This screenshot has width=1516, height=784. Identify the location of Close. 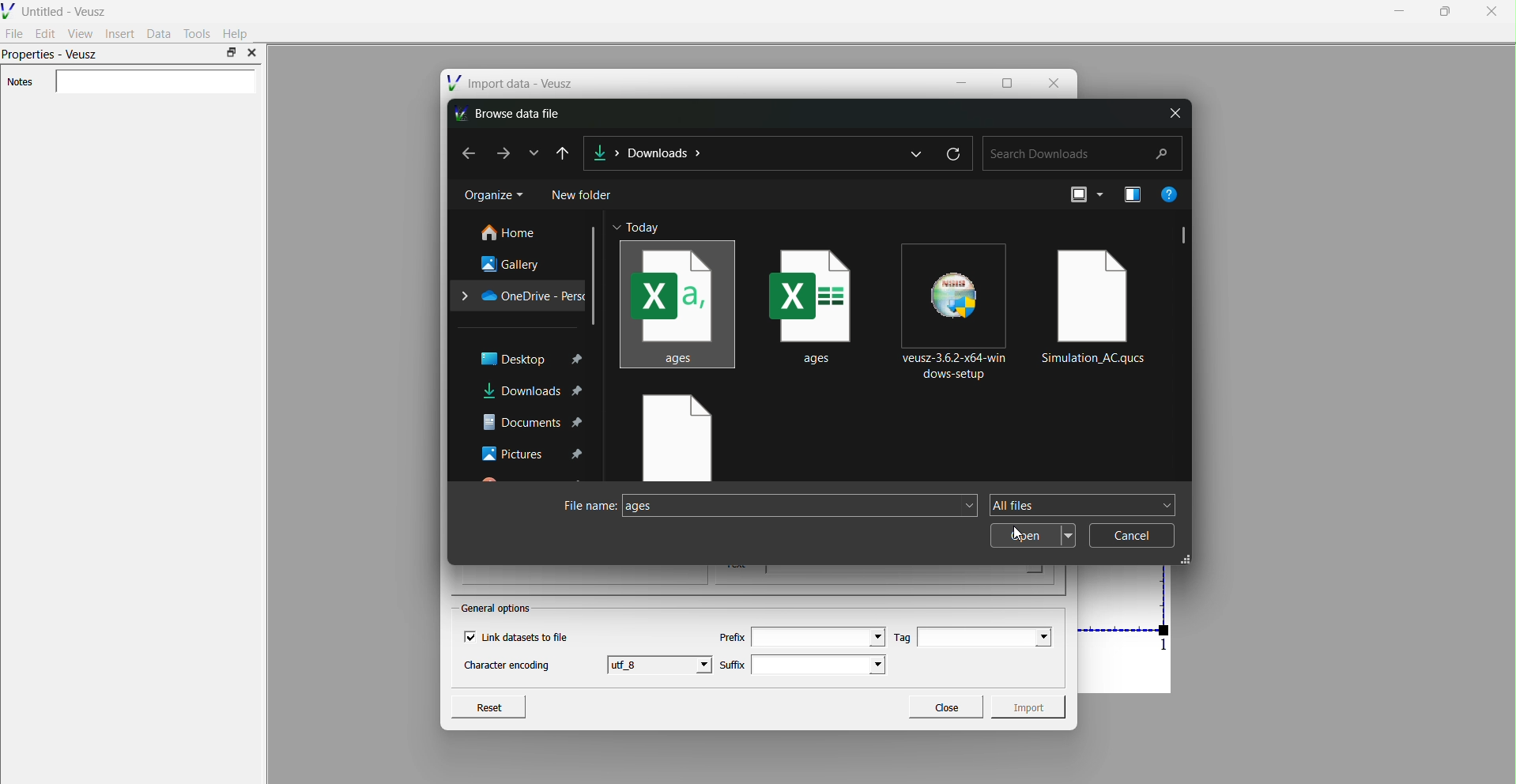
(945, 705).